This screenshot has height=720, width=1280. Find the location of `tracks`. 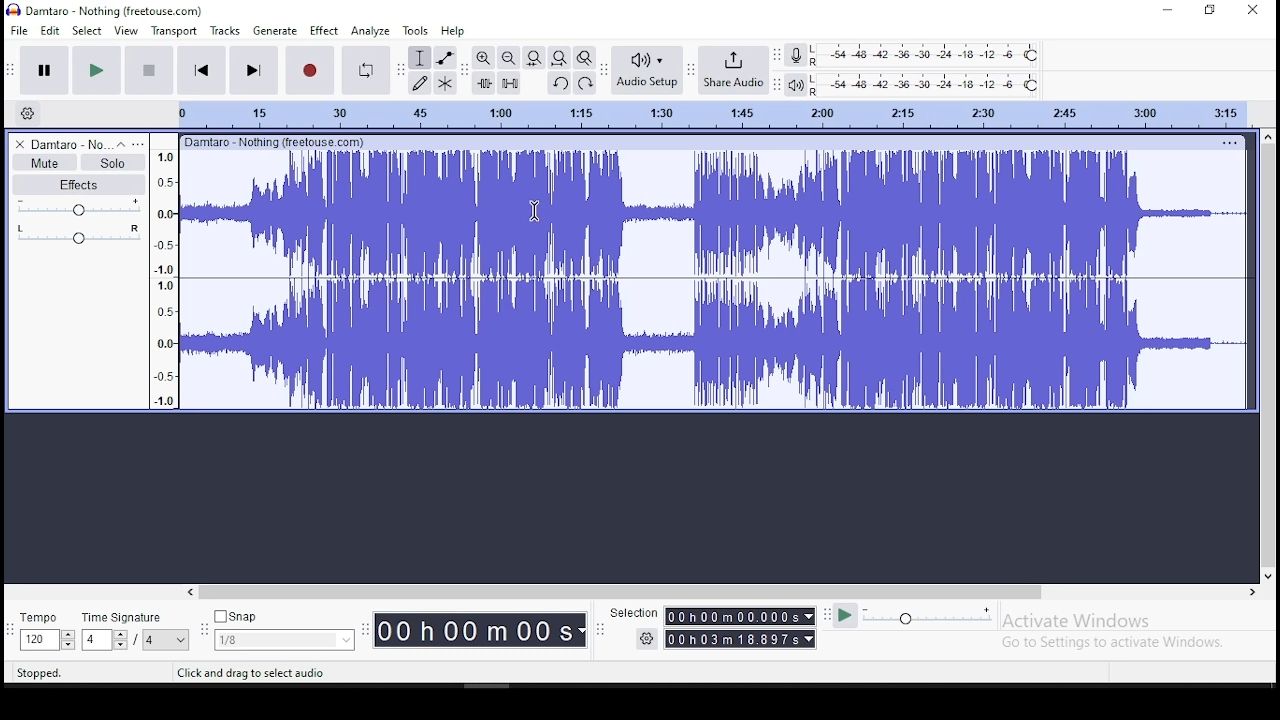

tracks is located at coordinates (225, 30).